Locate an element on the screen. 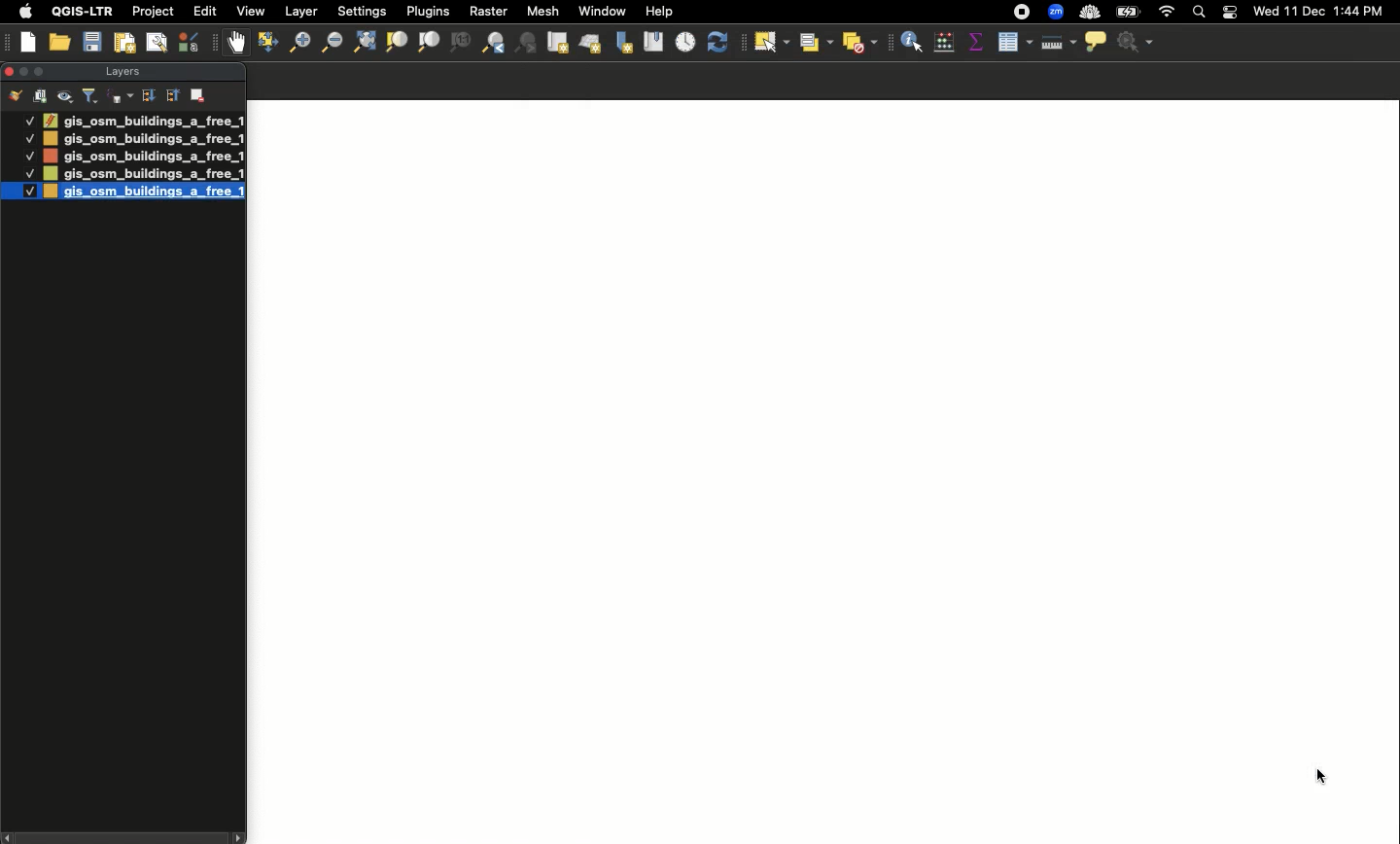  Temporal controller panel  is located at coordinates (686, 44).